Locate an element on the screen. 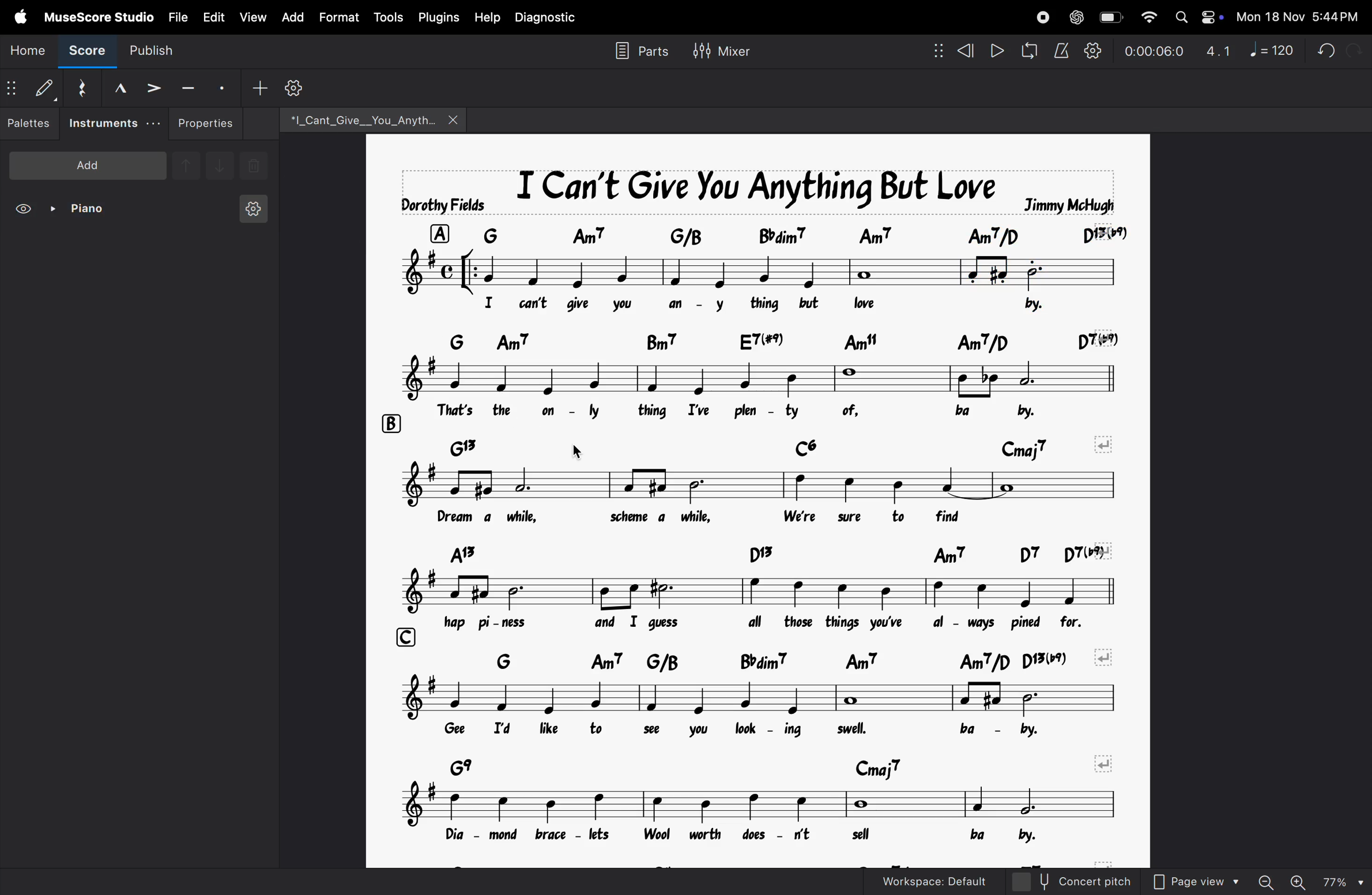  notes is located at coordinates (677, 271).